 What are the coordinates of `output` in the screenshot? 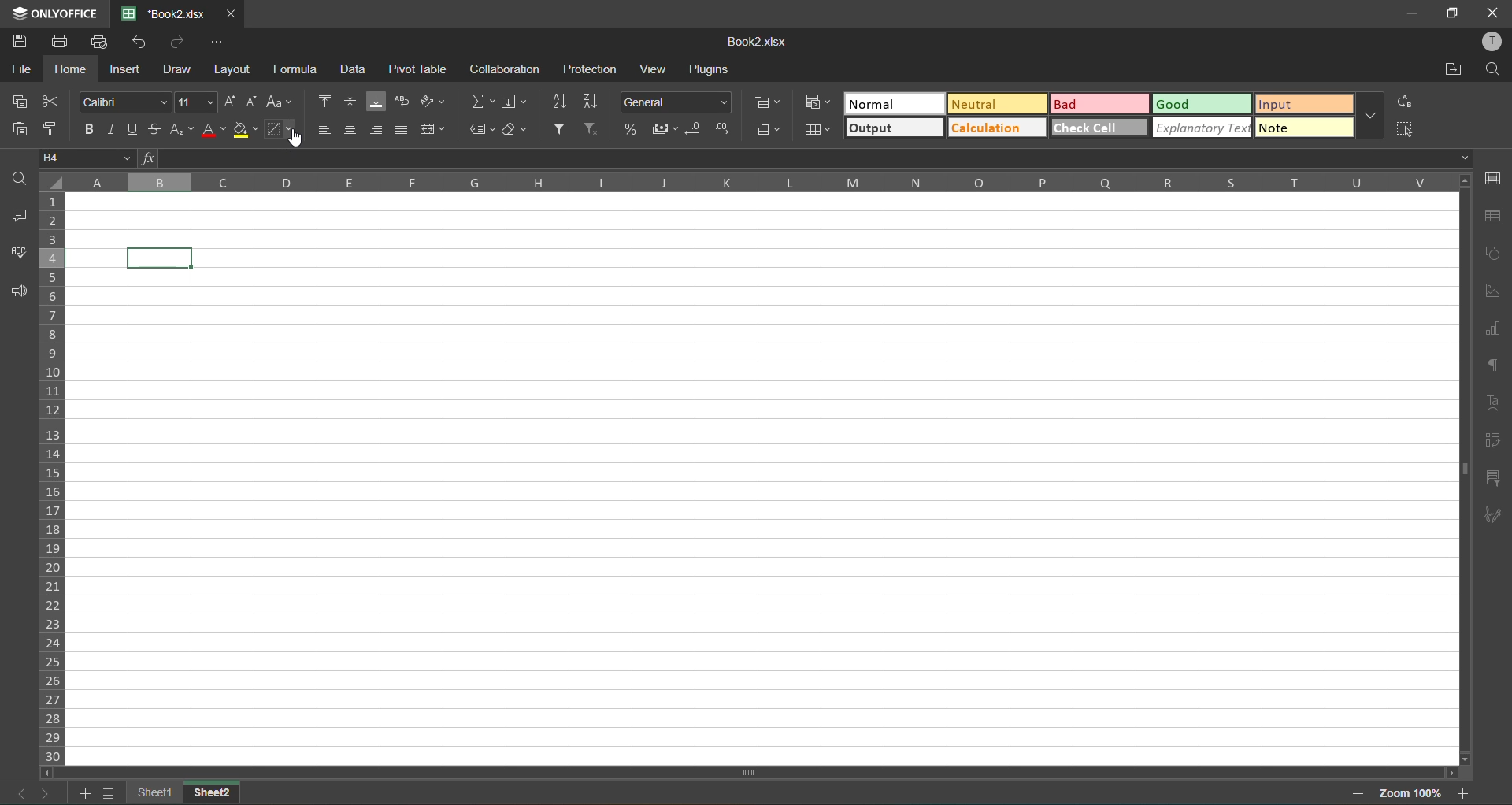 It's located at (897, 128).